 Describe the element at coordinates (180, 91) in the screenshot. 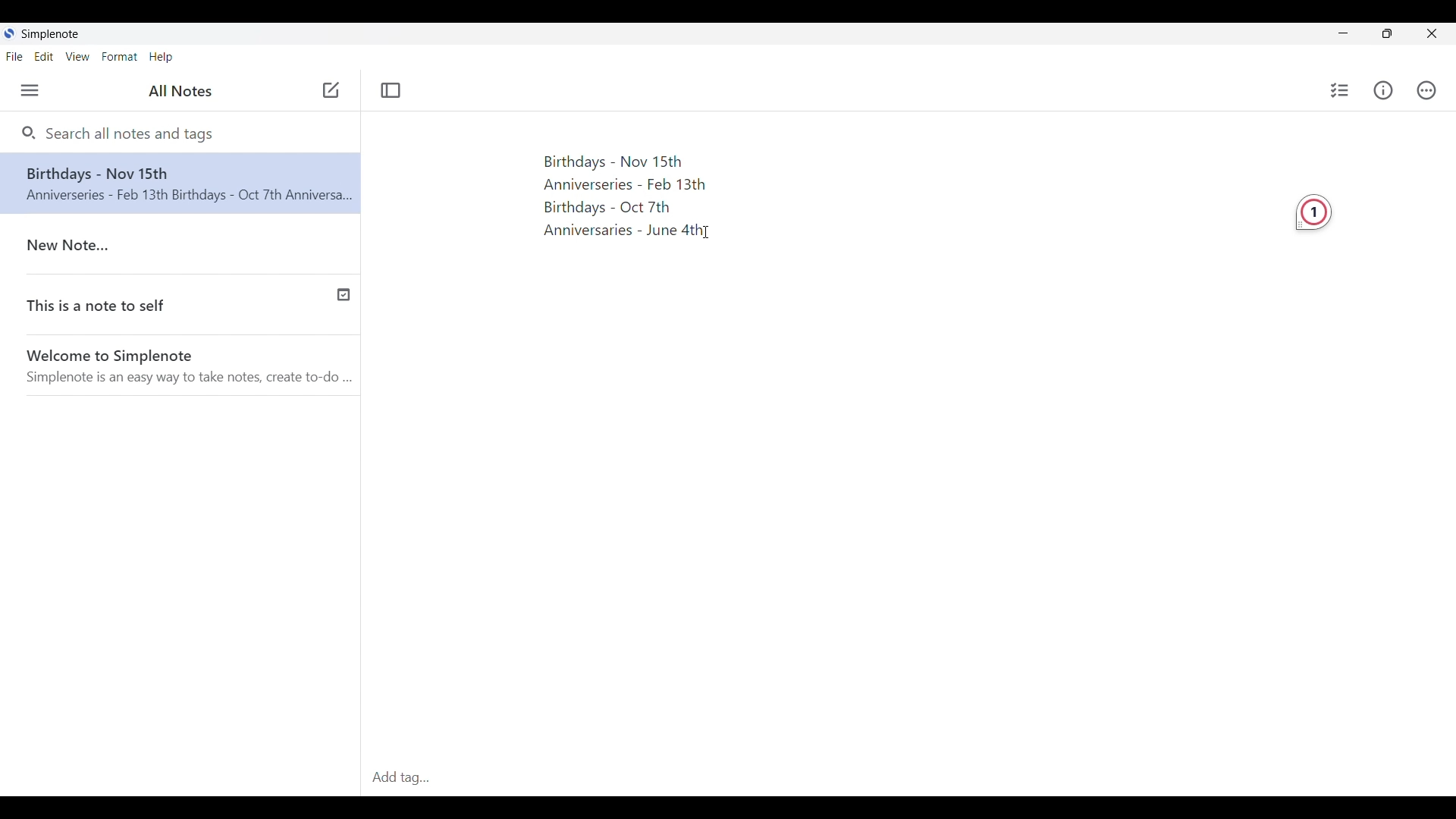

I see `All Notes(Title of left side panel)` at that location.